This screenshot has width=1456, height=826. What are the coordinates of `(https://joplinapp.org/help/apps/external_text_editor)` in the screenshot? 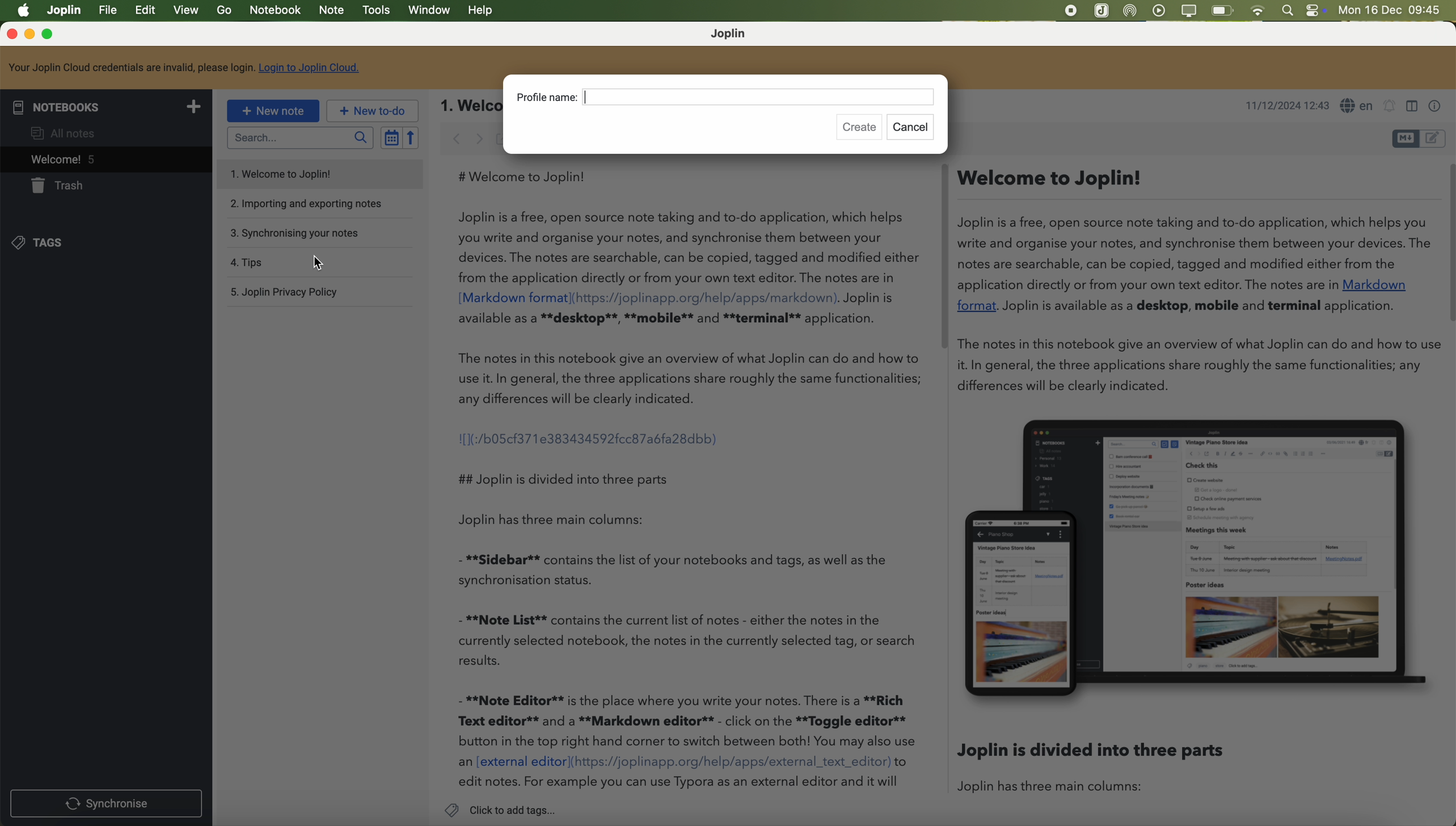 It's located at (731, 762).